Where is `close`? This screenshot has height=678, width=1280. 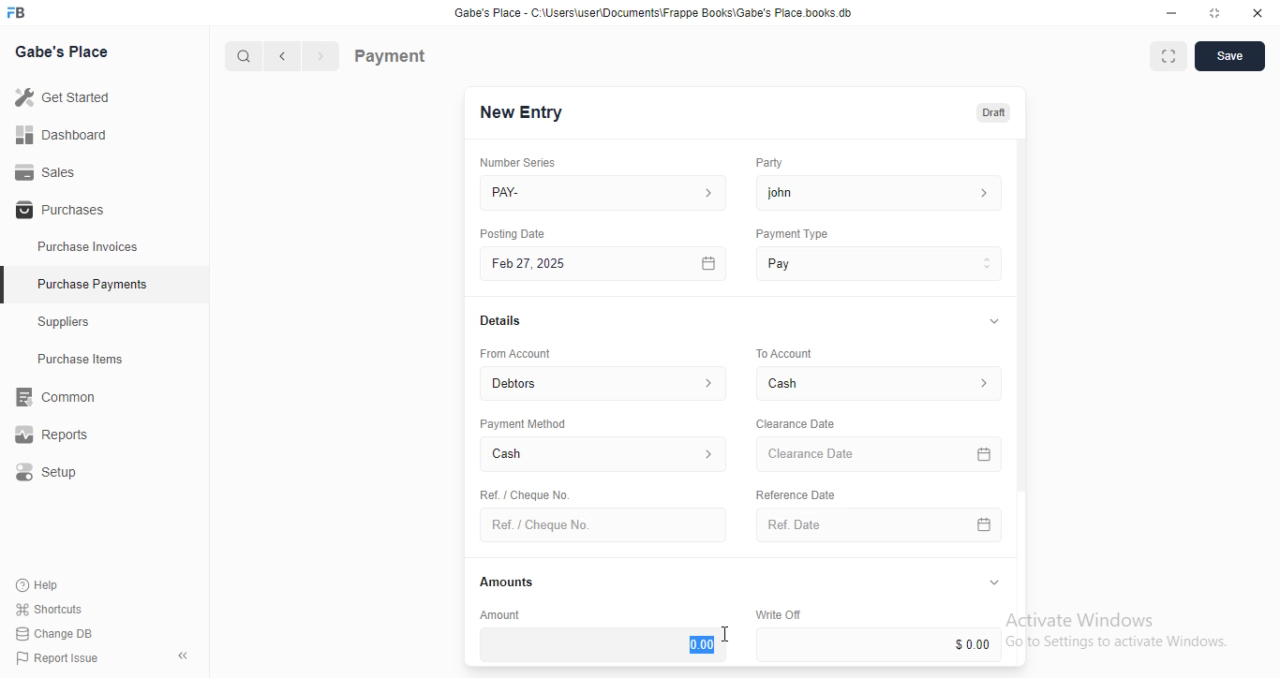 close is located at coordinates (1258, 13).